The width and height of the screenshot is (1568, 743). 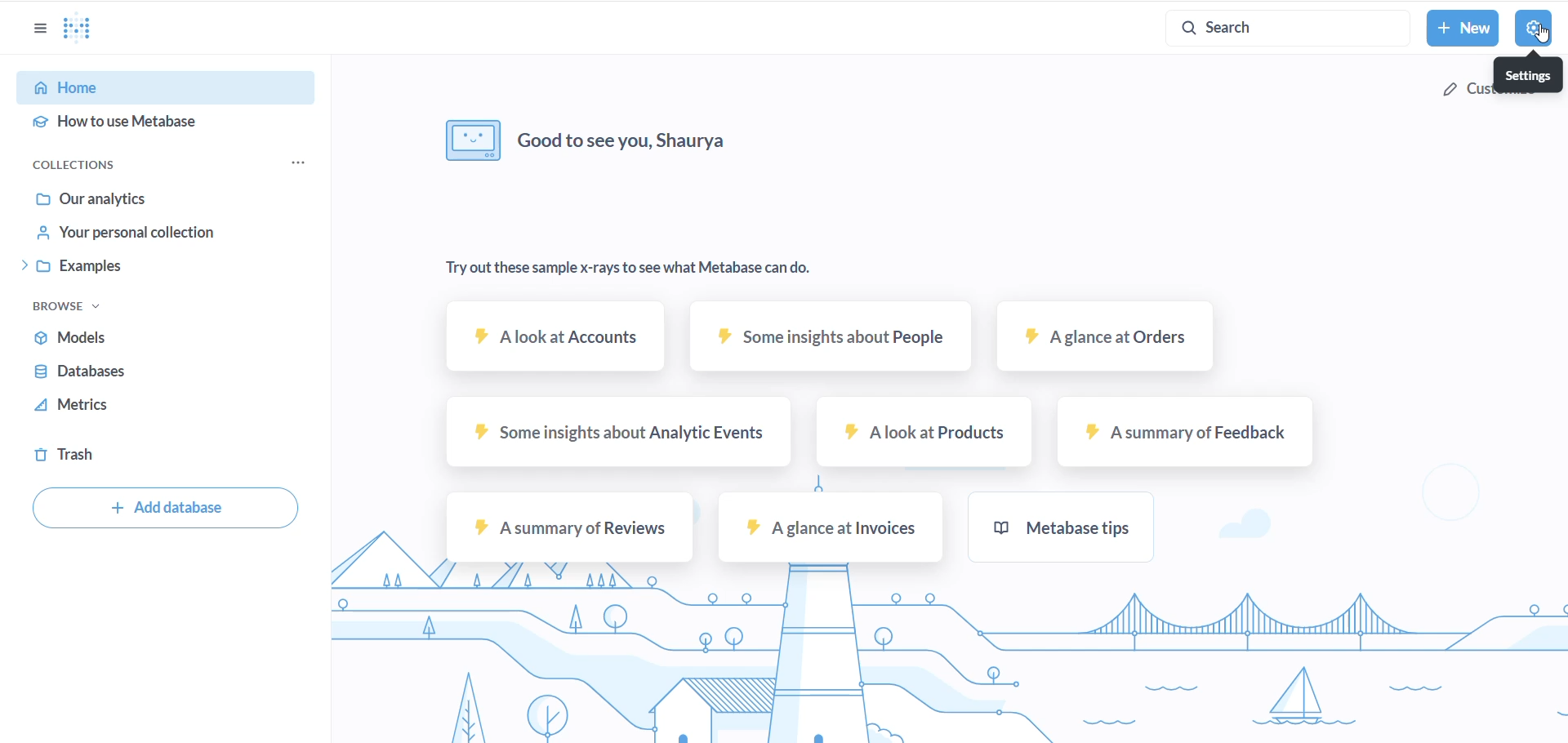 I want to click on METRICS, so click(x=100, y=406).